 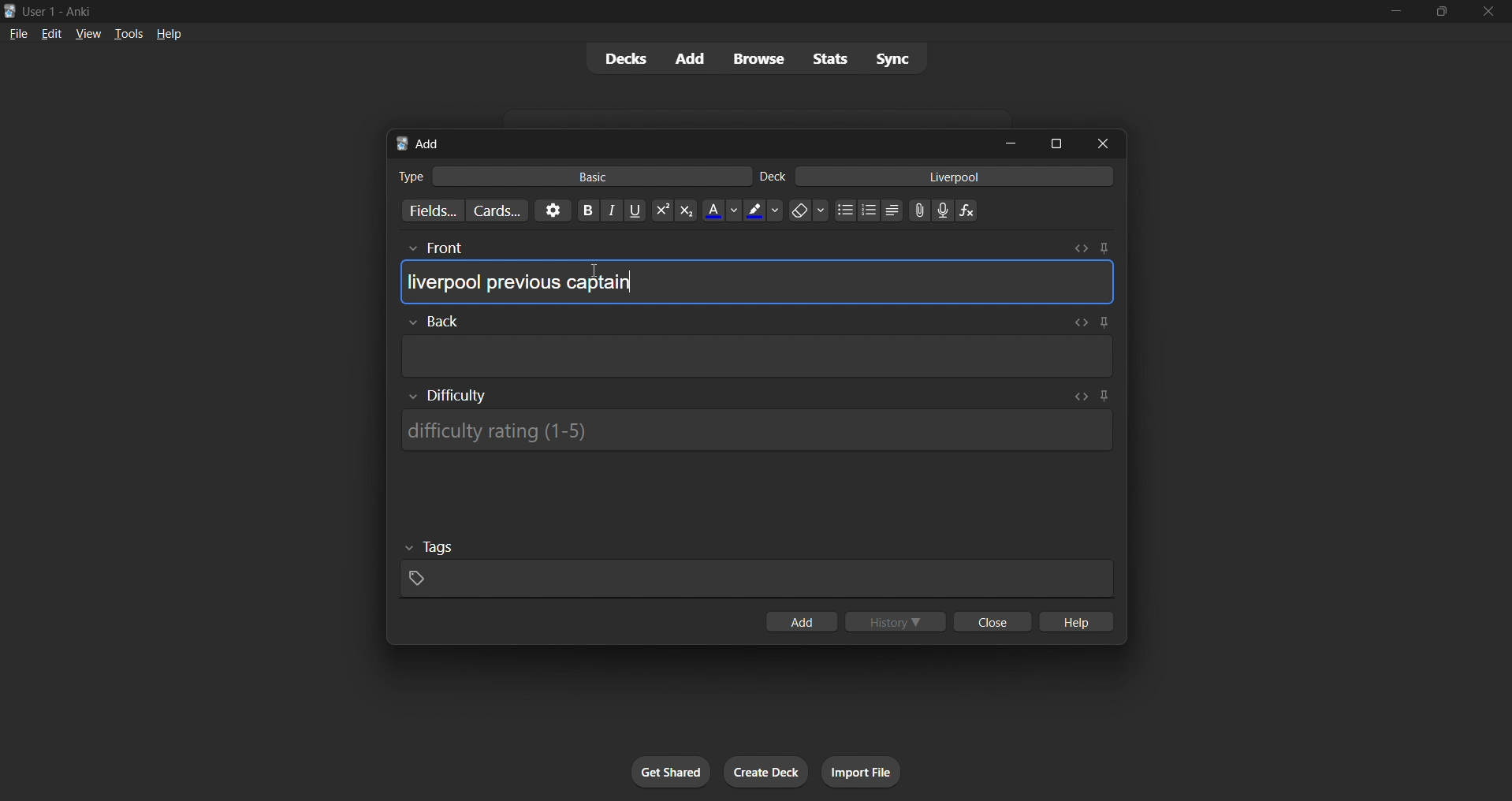 What do you see at coordinates (763, 210) in the screenshot?
I see `text highlight color` at bounding box center [763, 210].